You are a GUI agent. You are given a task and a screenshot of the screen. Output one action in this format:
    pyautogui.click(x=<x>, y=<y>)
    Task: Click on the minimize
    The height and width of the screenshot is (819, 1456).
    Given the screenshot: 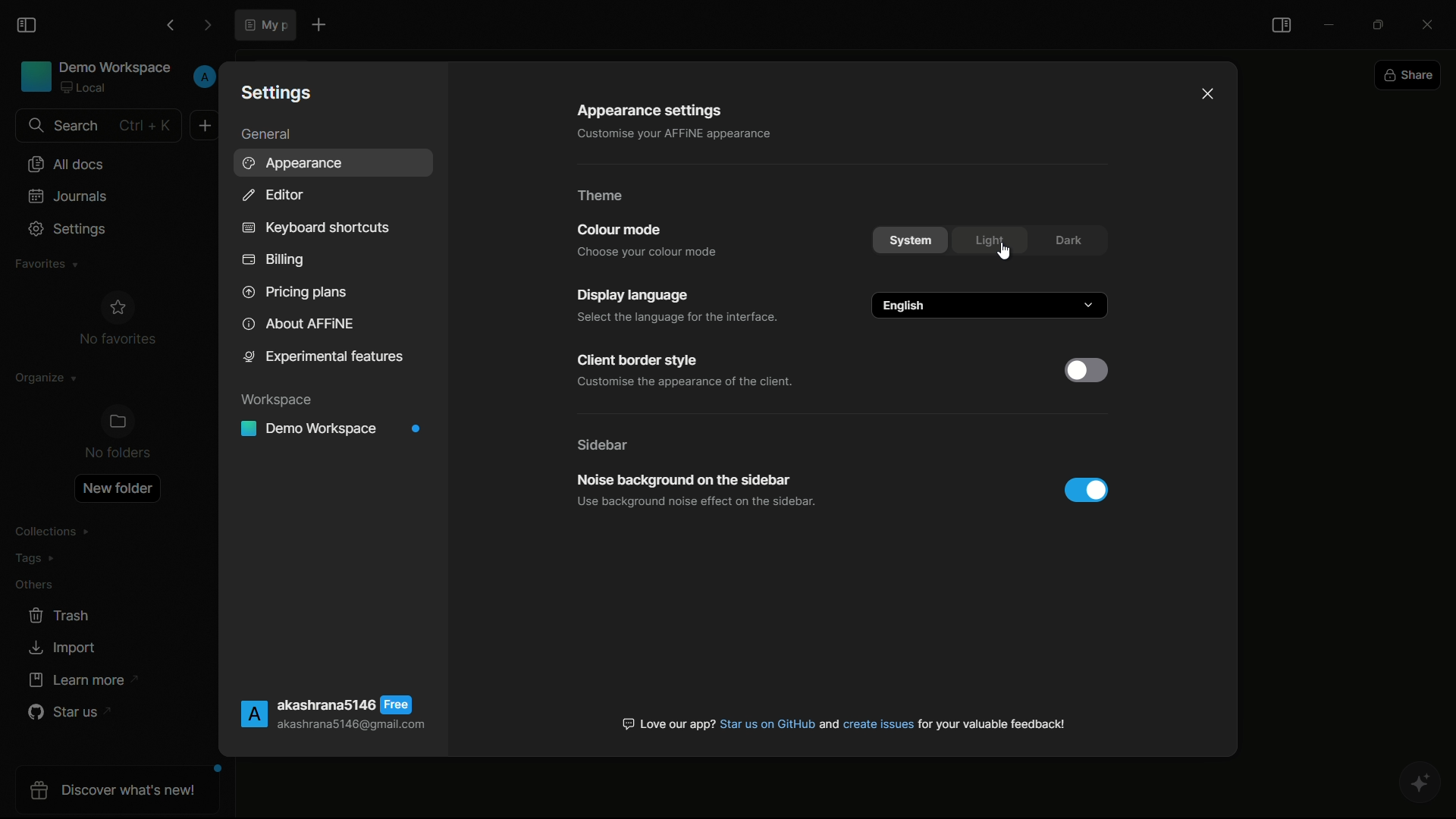 What is the action you would take?
    pyautogui.click(x=1330, y=24)
    